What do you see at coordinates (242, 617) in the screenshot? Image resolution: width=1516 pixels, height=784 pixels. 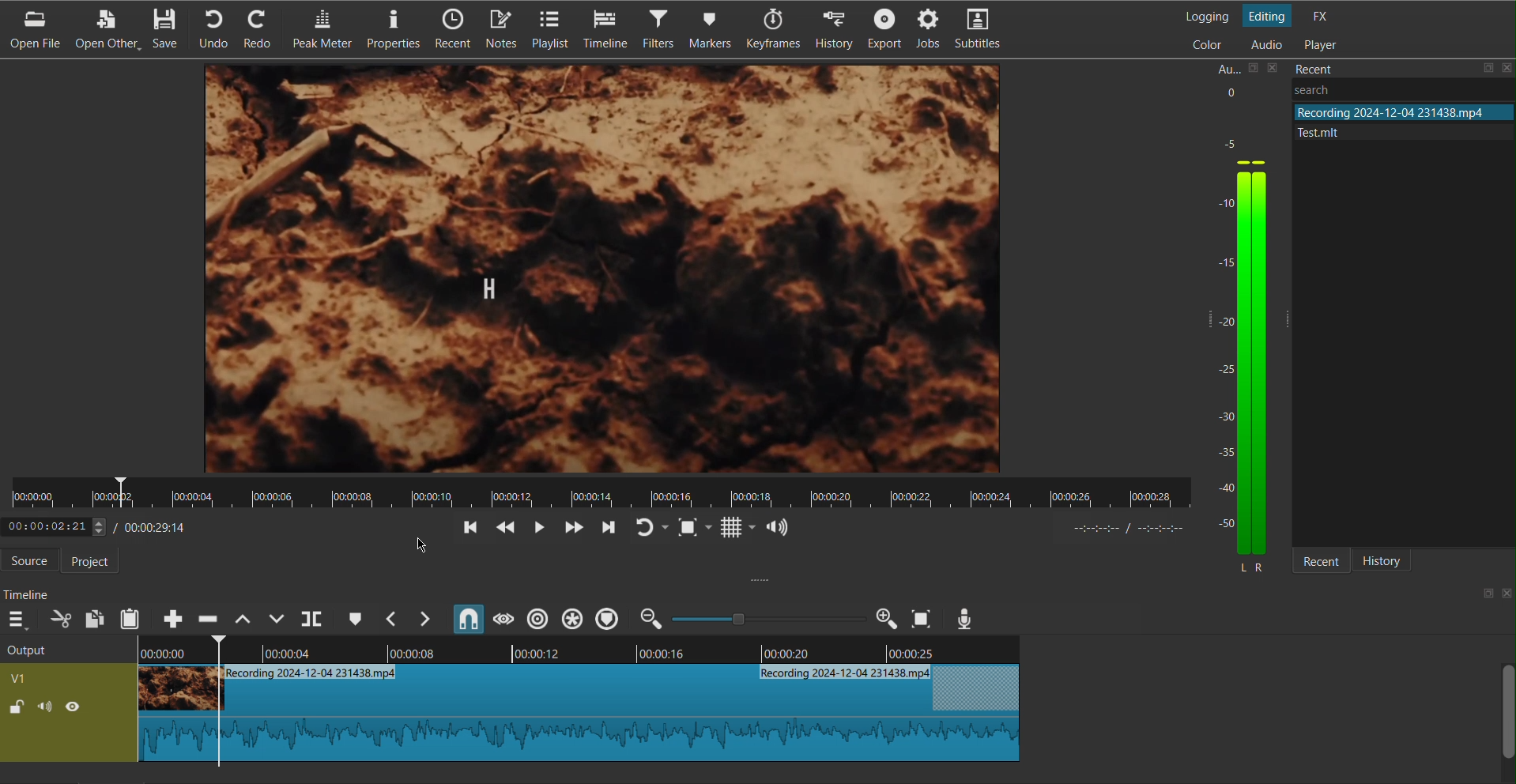 I see `Lift` at bounding box center [242, 617].